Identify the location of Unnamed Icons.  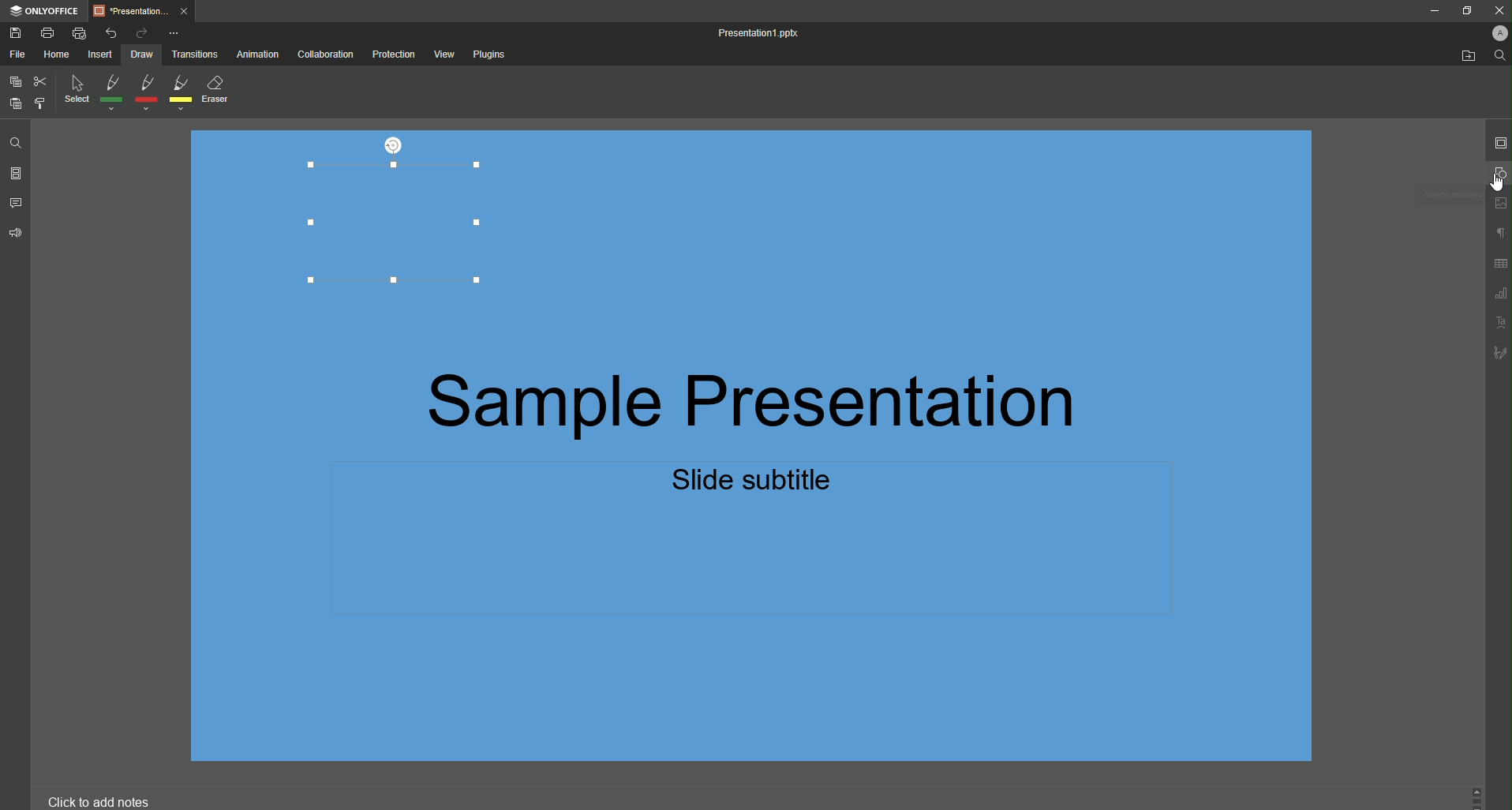
(1496, 277).